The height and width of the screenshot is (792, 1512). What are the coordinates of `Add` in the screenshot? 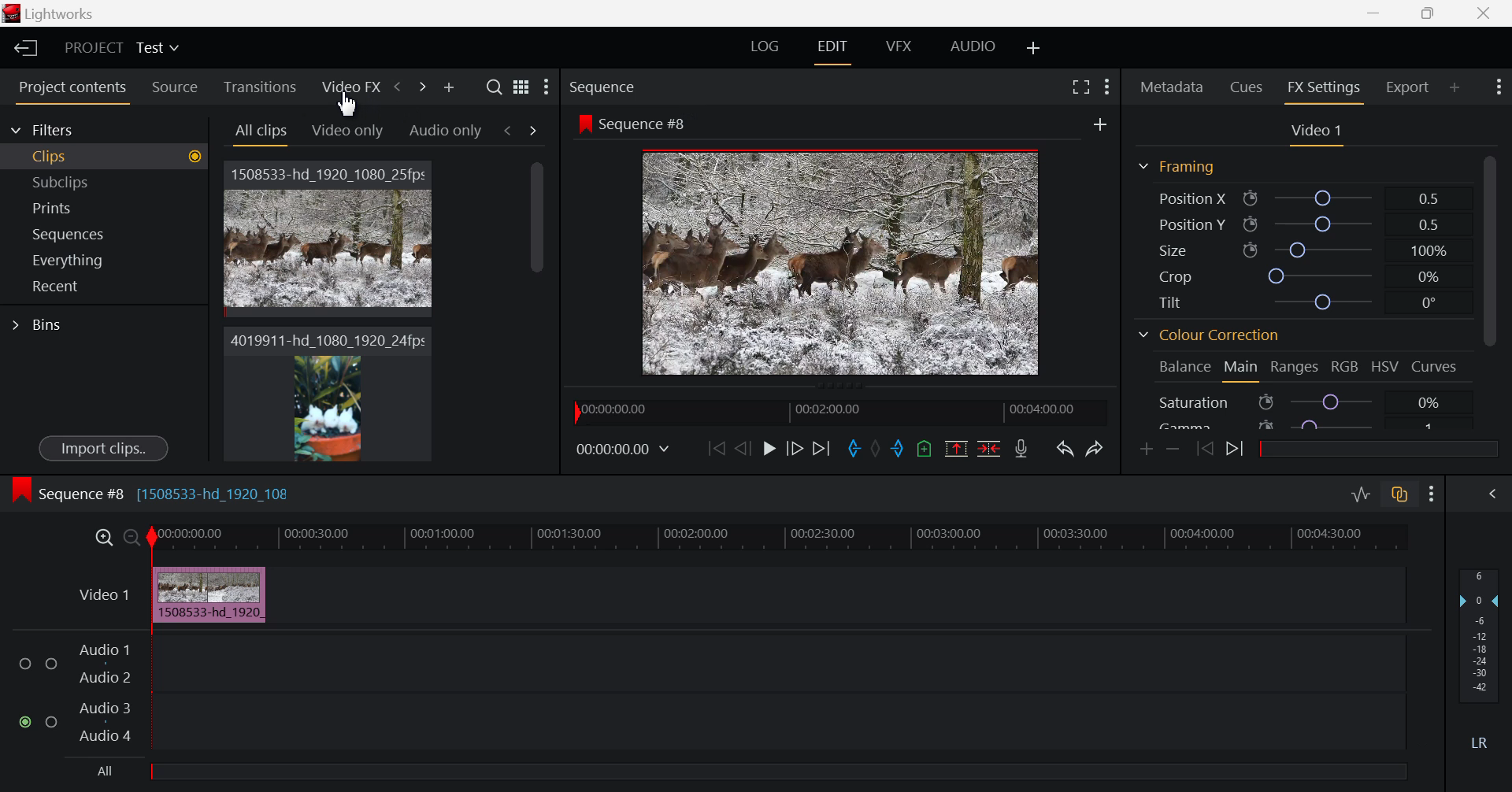 It's located at (1101, 124).